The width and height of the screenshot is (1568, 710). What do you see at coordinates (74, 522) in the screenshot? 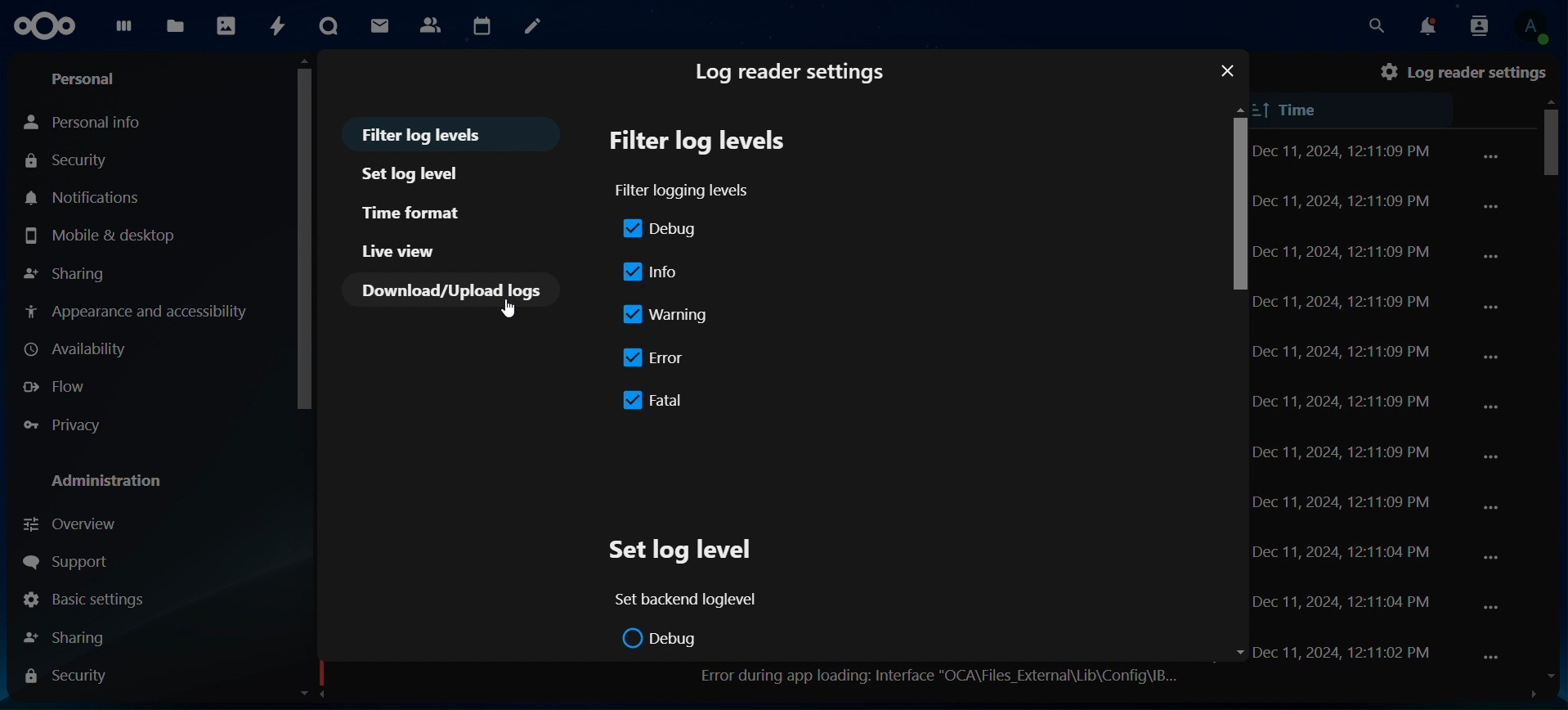
I see `overview` at bounding box center [74, 522].